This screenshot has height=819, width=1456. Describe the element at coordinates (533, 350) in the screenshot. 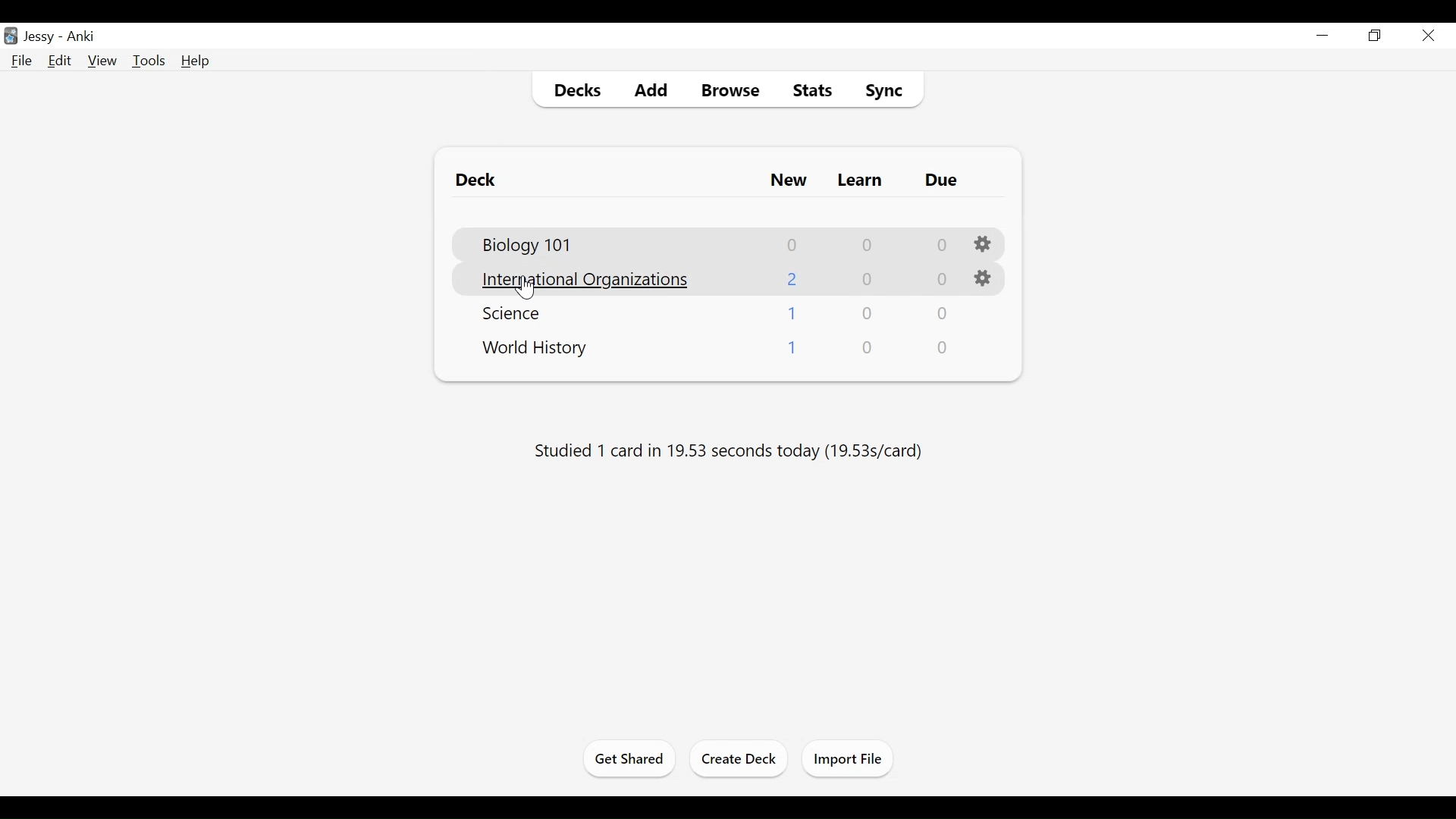

I see `Deck Name` at that location.